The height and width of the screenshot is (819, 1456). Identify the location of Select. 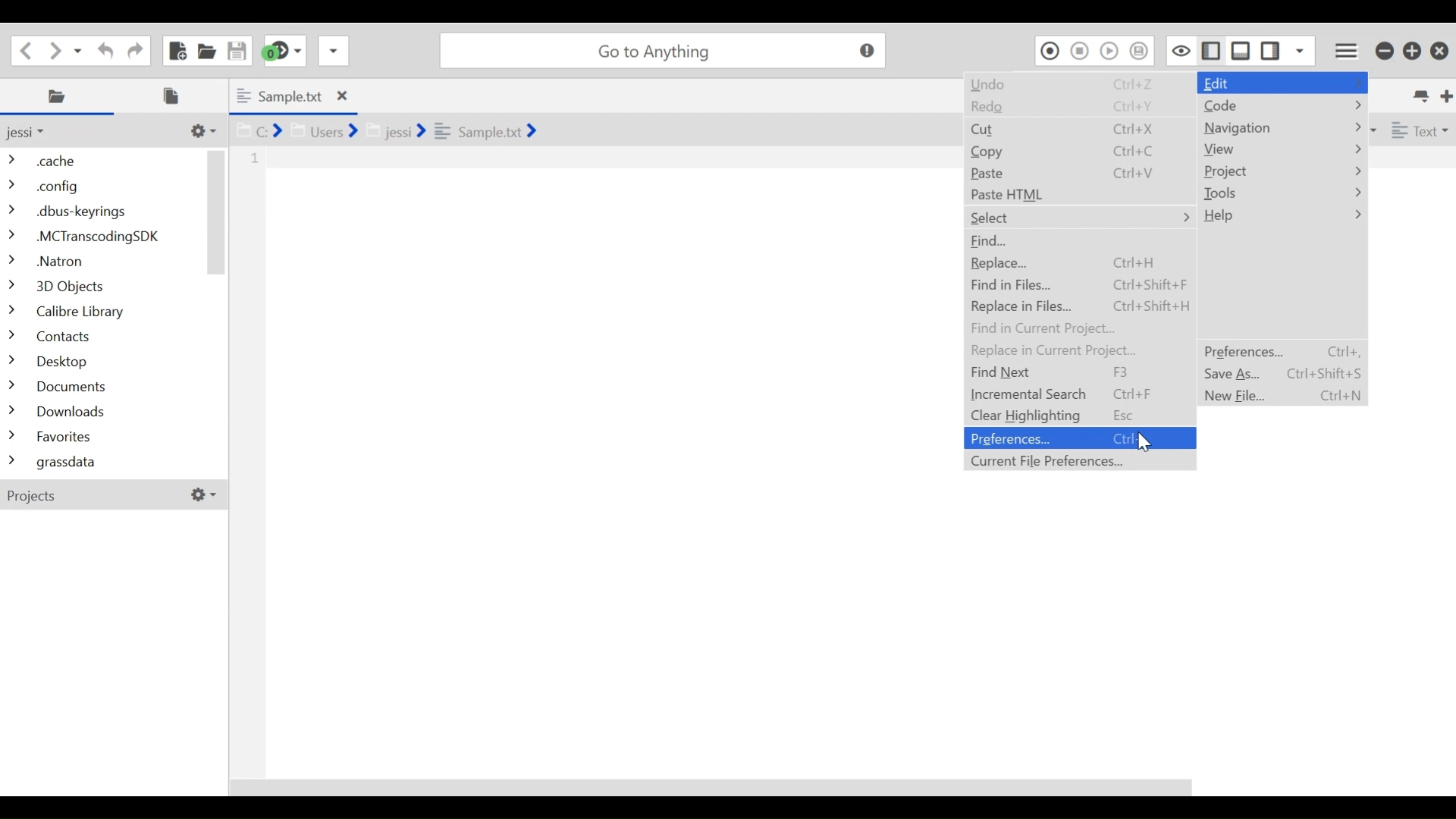
(1079, 218).